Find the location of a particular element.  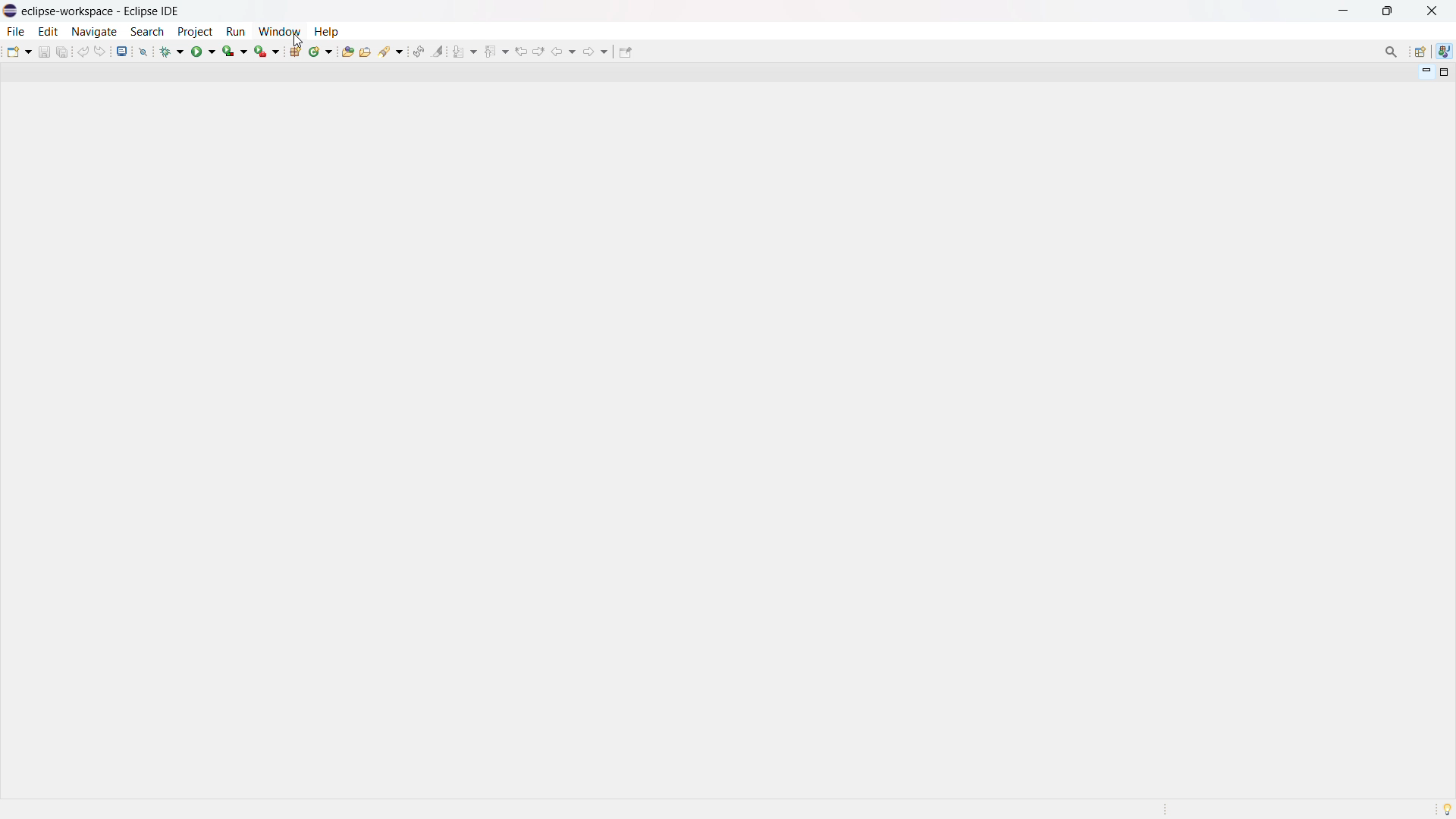

maximize is located at coordinates (1387, 11).